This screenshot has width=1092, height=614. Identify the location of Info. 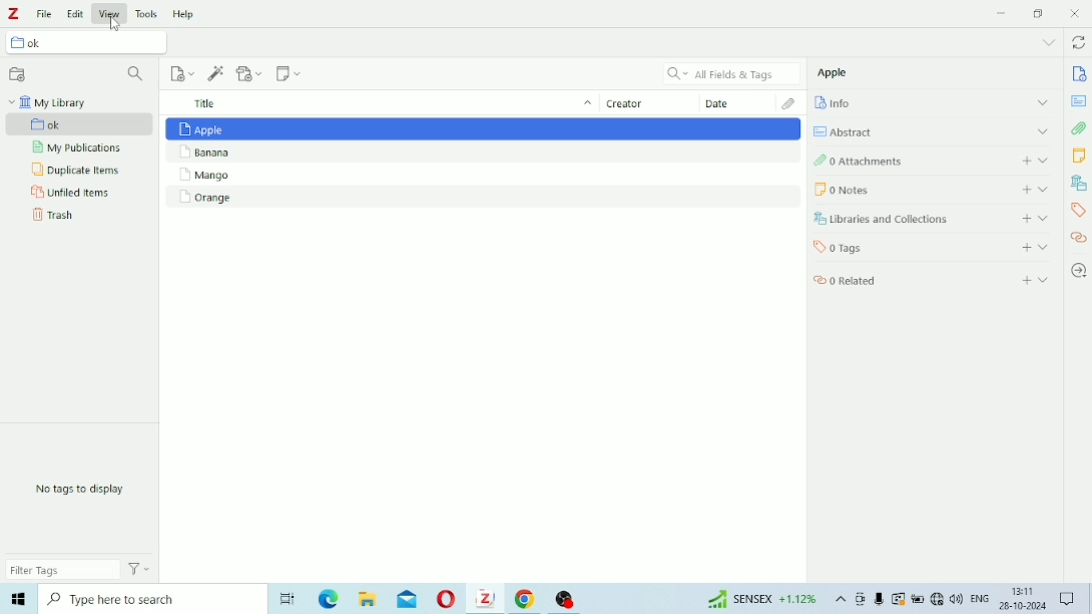
(845, 104).